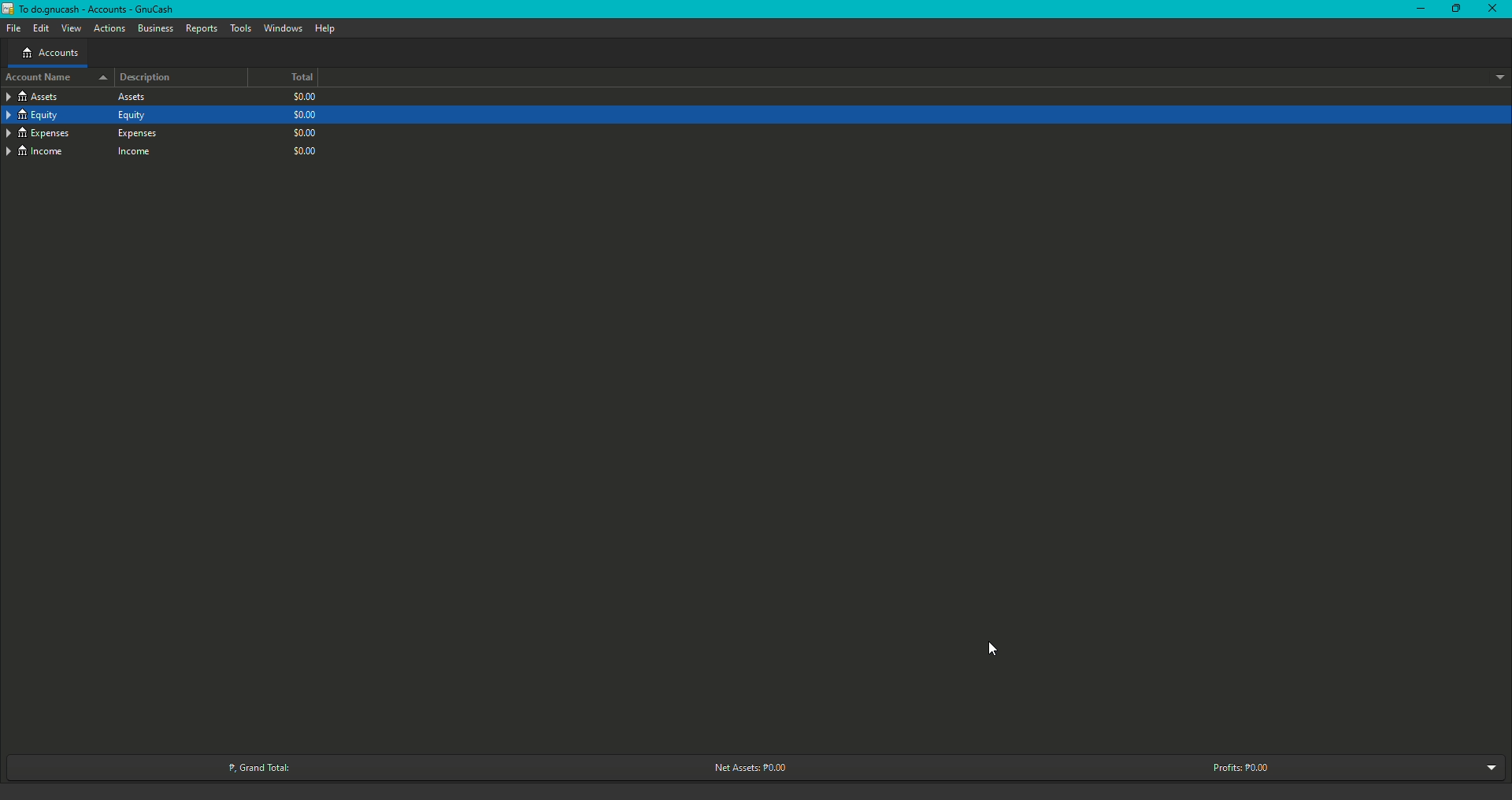  What do you see at coordinates (52, 79) in the screenshot?
I see `Account name` at bounding box center [52, 79].